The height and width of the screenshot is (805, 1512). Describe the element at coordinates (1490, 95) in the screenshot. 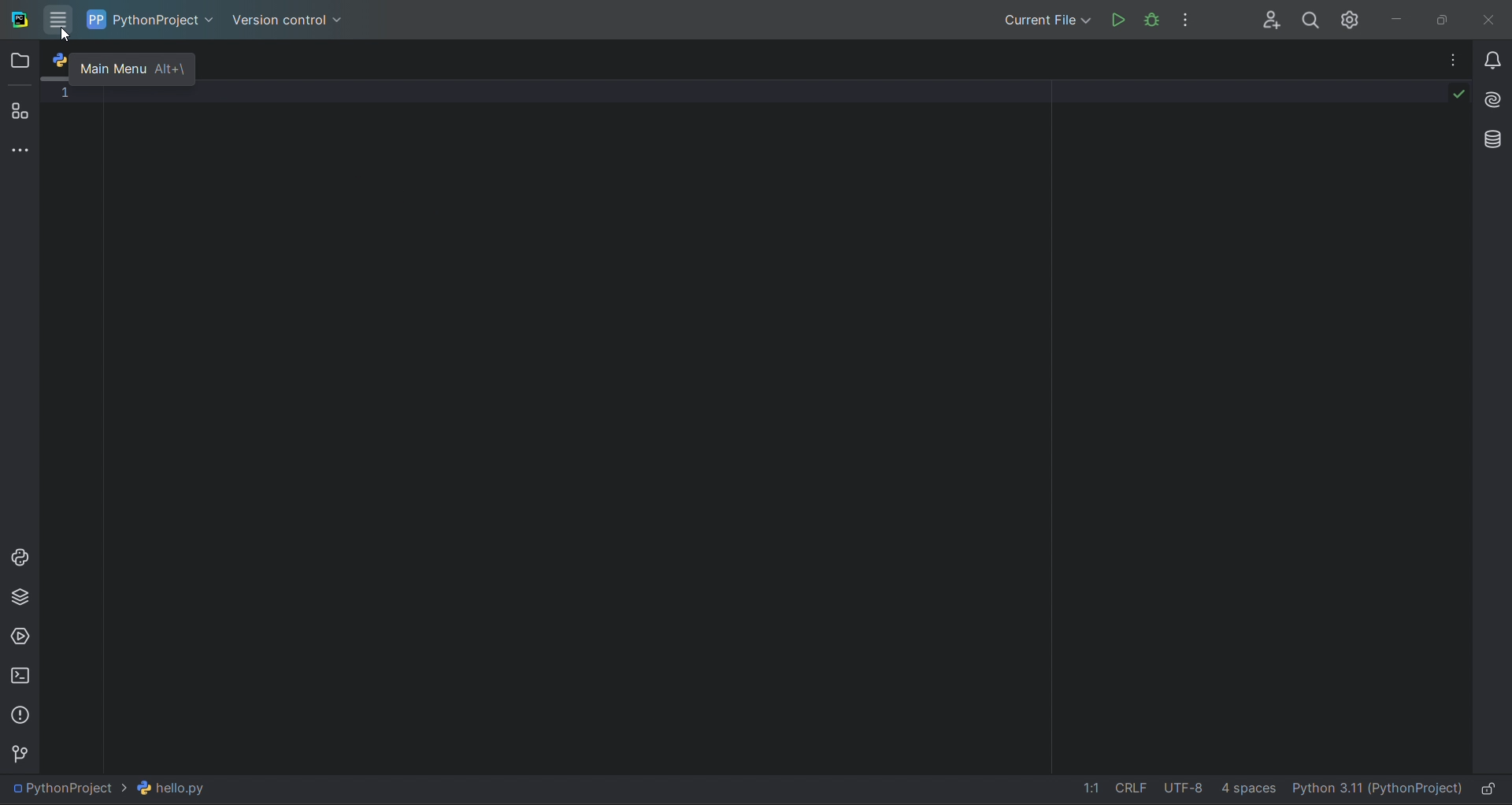

I see `ai assistant` at that location.